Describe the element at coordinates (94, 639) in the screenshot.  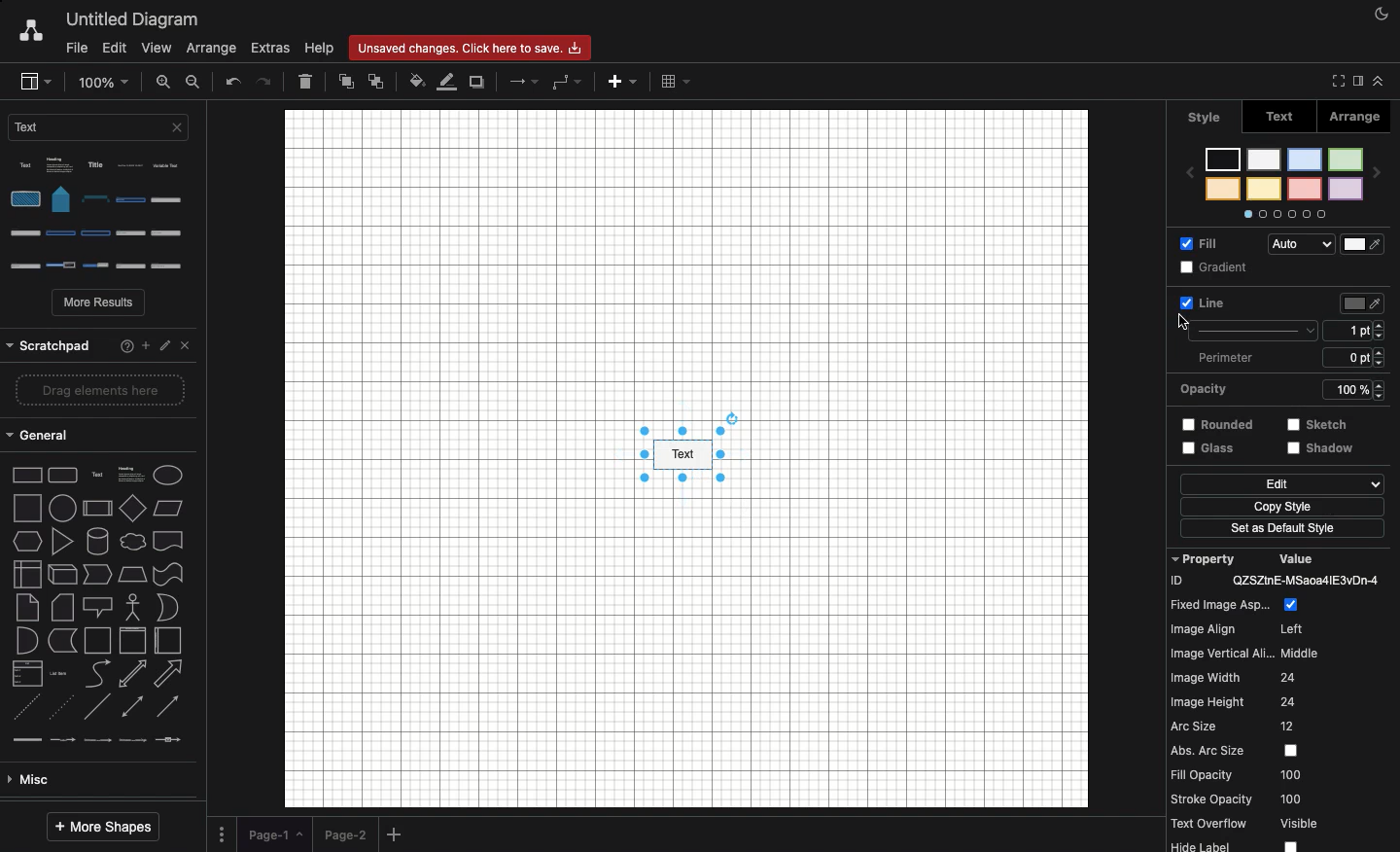
I see `Advanced` at that location.